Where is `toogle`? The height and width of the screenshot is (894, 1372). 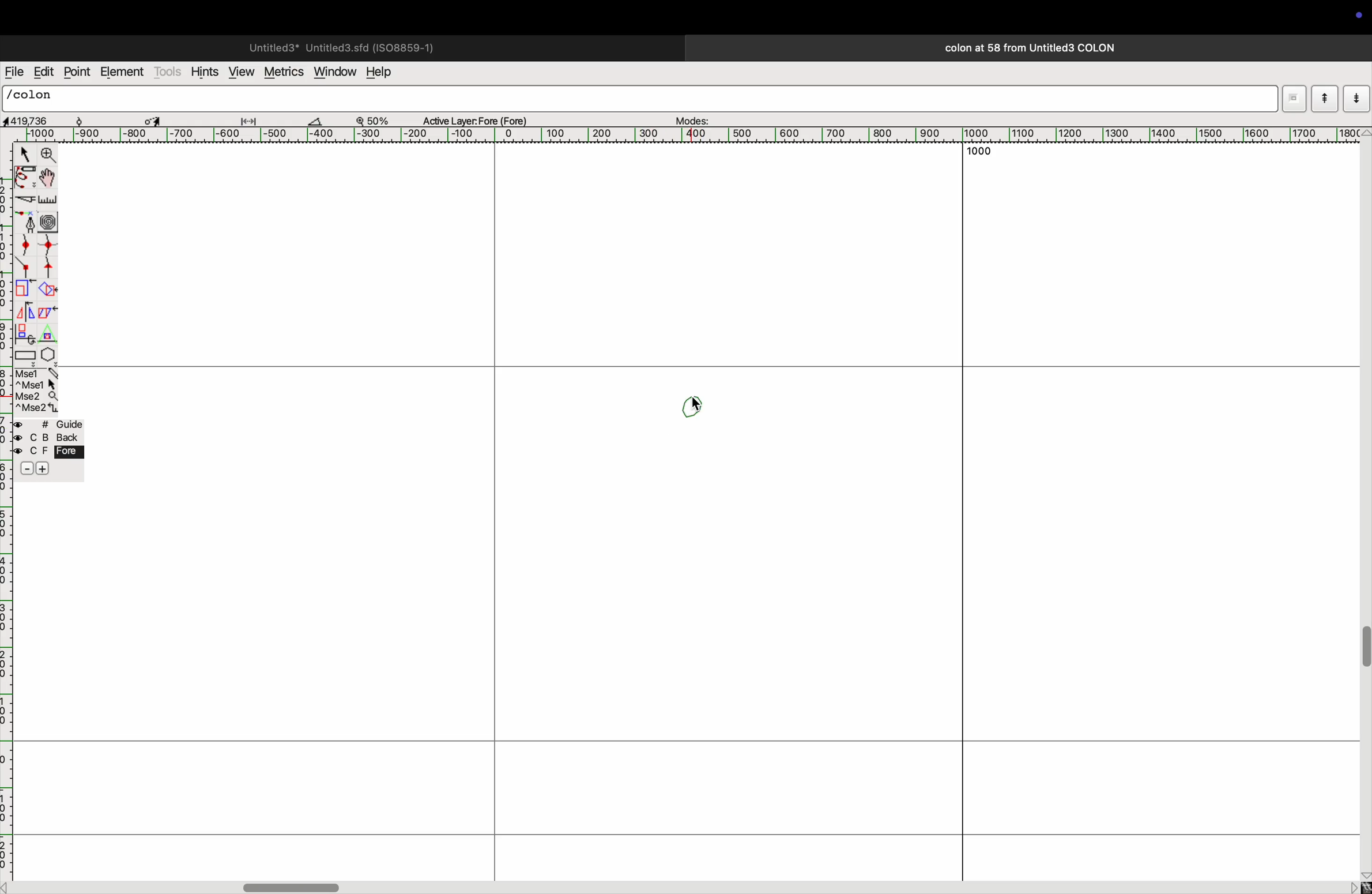 toogle is located at coordinates (1363, 654).